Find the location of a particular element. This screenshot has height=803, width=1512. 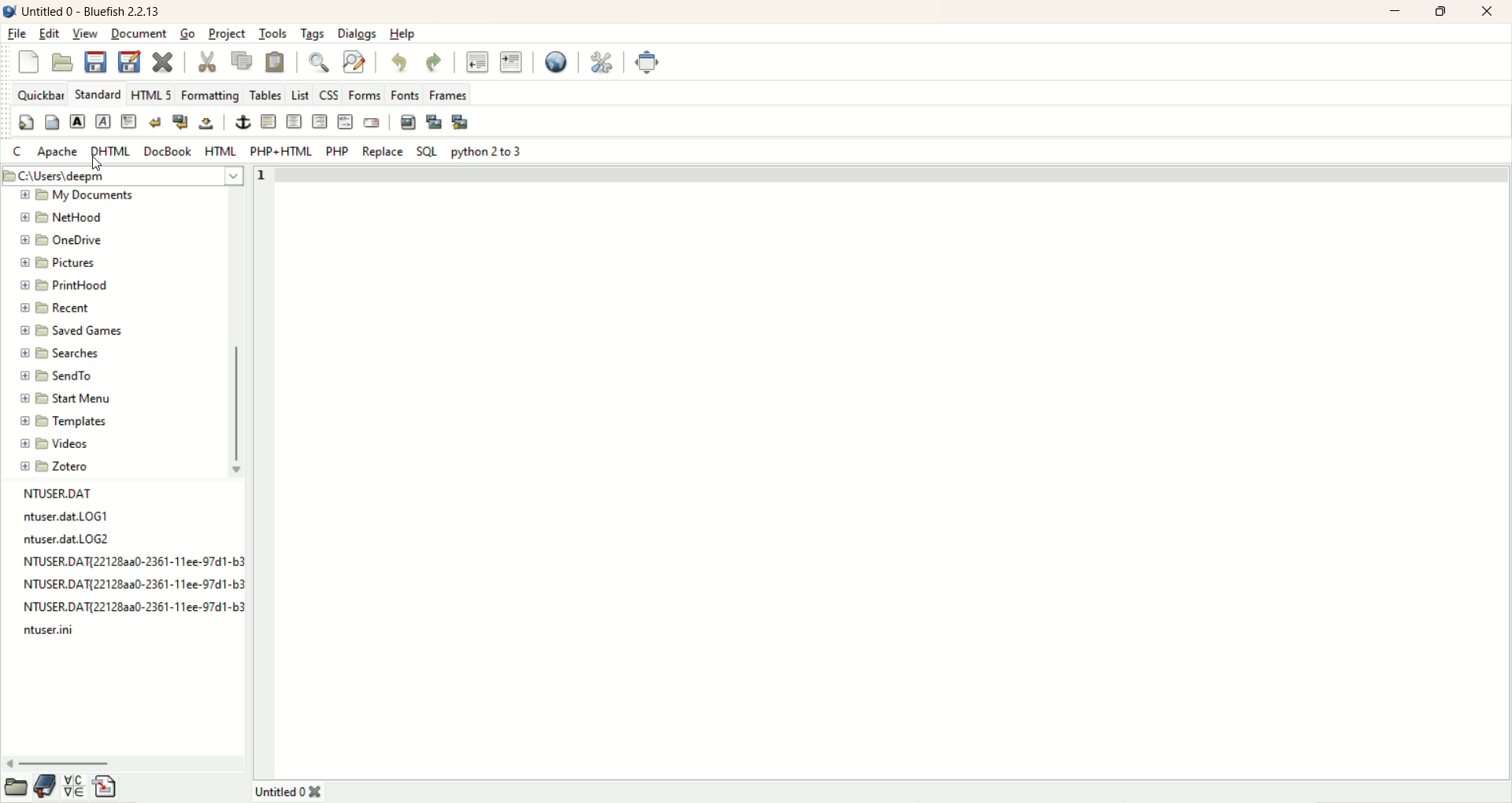

paste is located at coordinates (276, 61).